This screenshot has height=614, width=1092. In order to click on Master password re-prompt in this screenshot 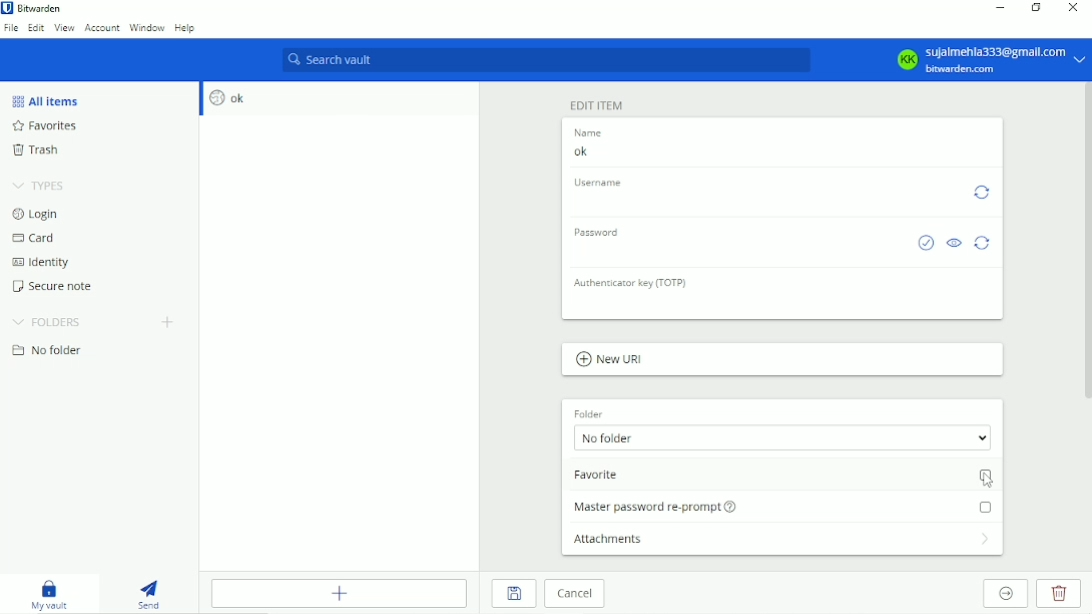, I will do `click(783, 505)`.